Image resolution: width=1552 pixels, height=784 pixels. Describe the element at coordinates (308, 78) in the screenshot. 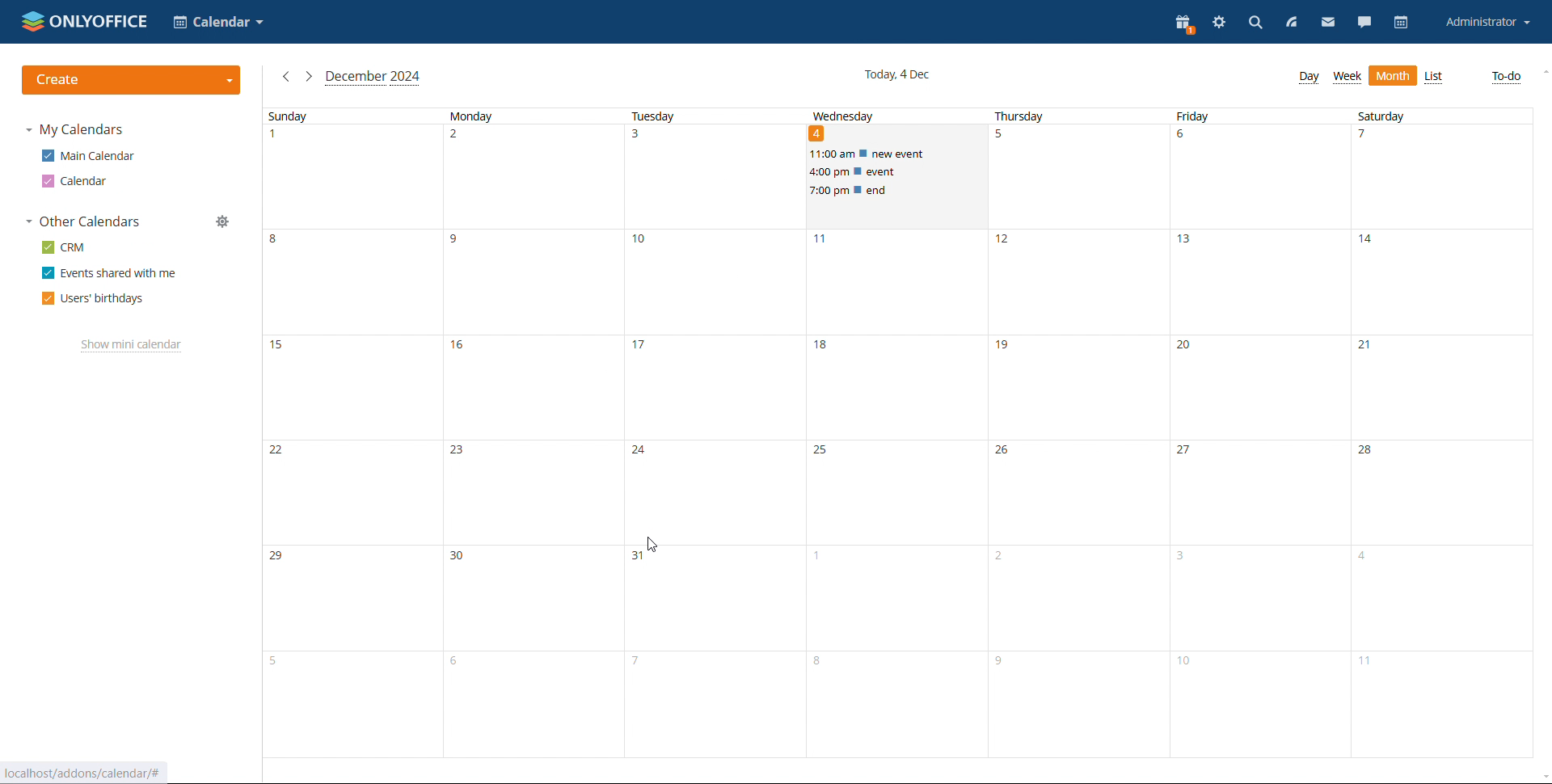

I see `next month` at that location.